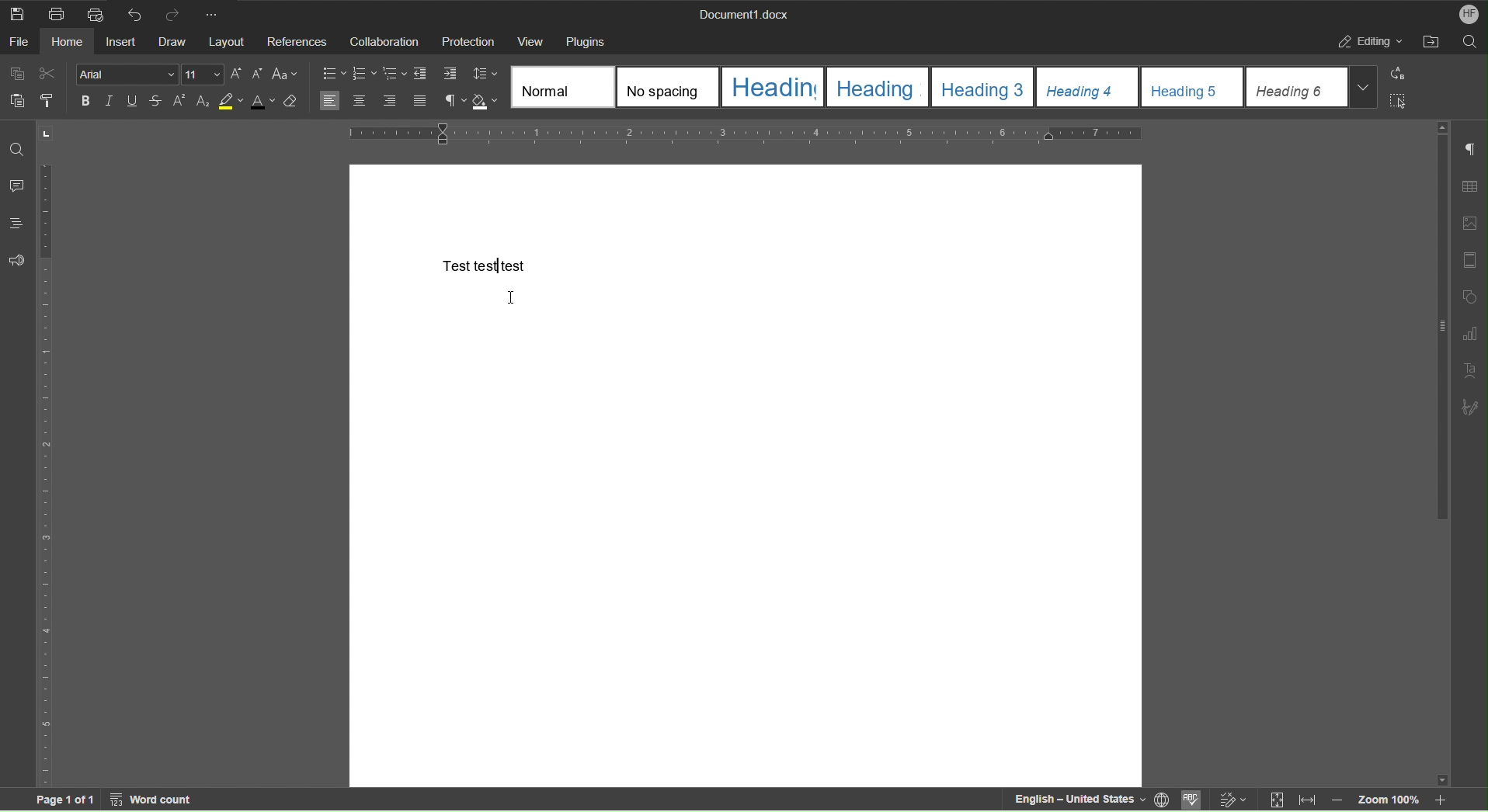  Describe the element at coordinates (127, 75) in the screenshot. I see `Font` at that location.